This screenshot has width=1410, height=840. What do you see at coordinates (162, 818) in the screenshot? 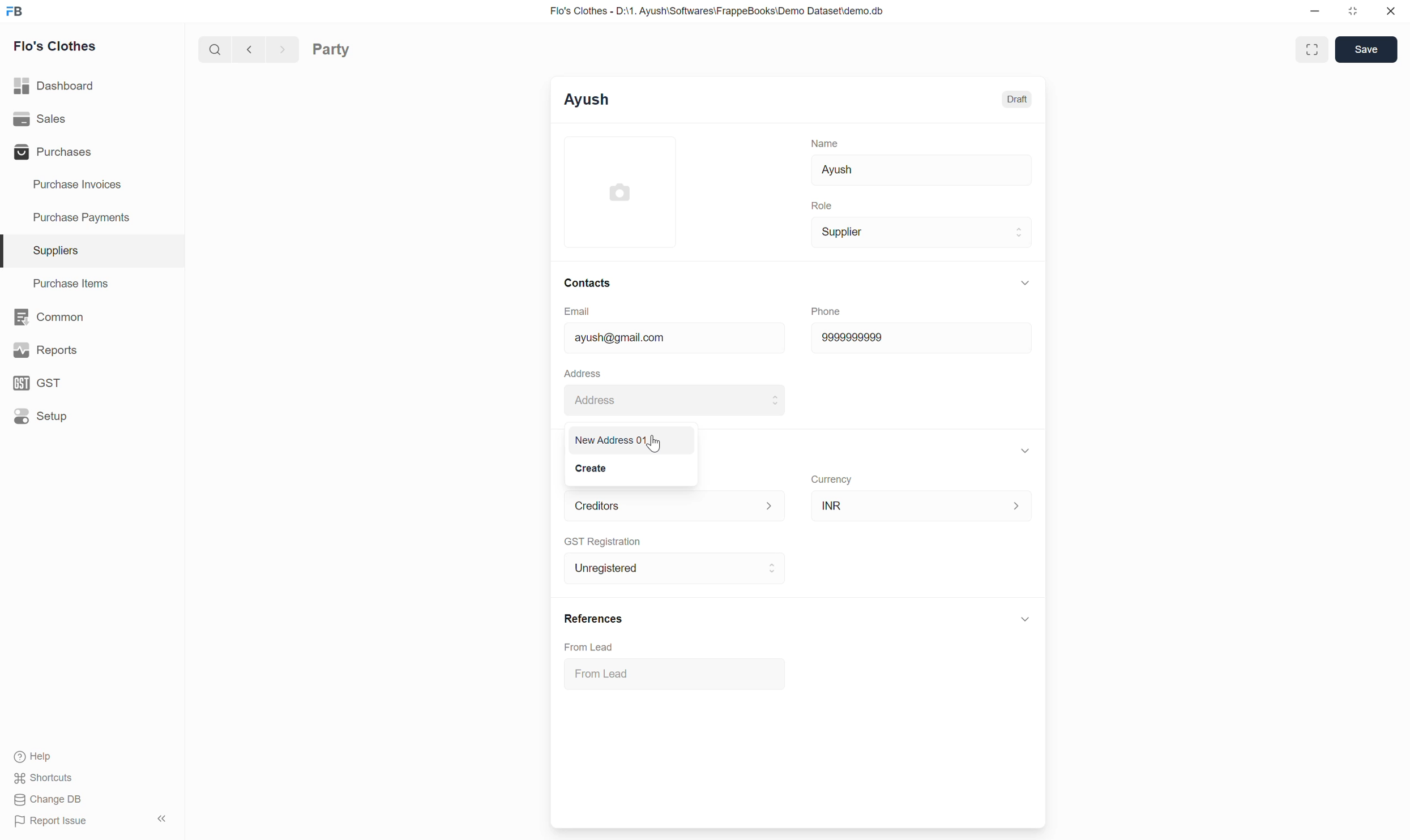
I see `Collapse sidebar` at bounding box center [162, 818].